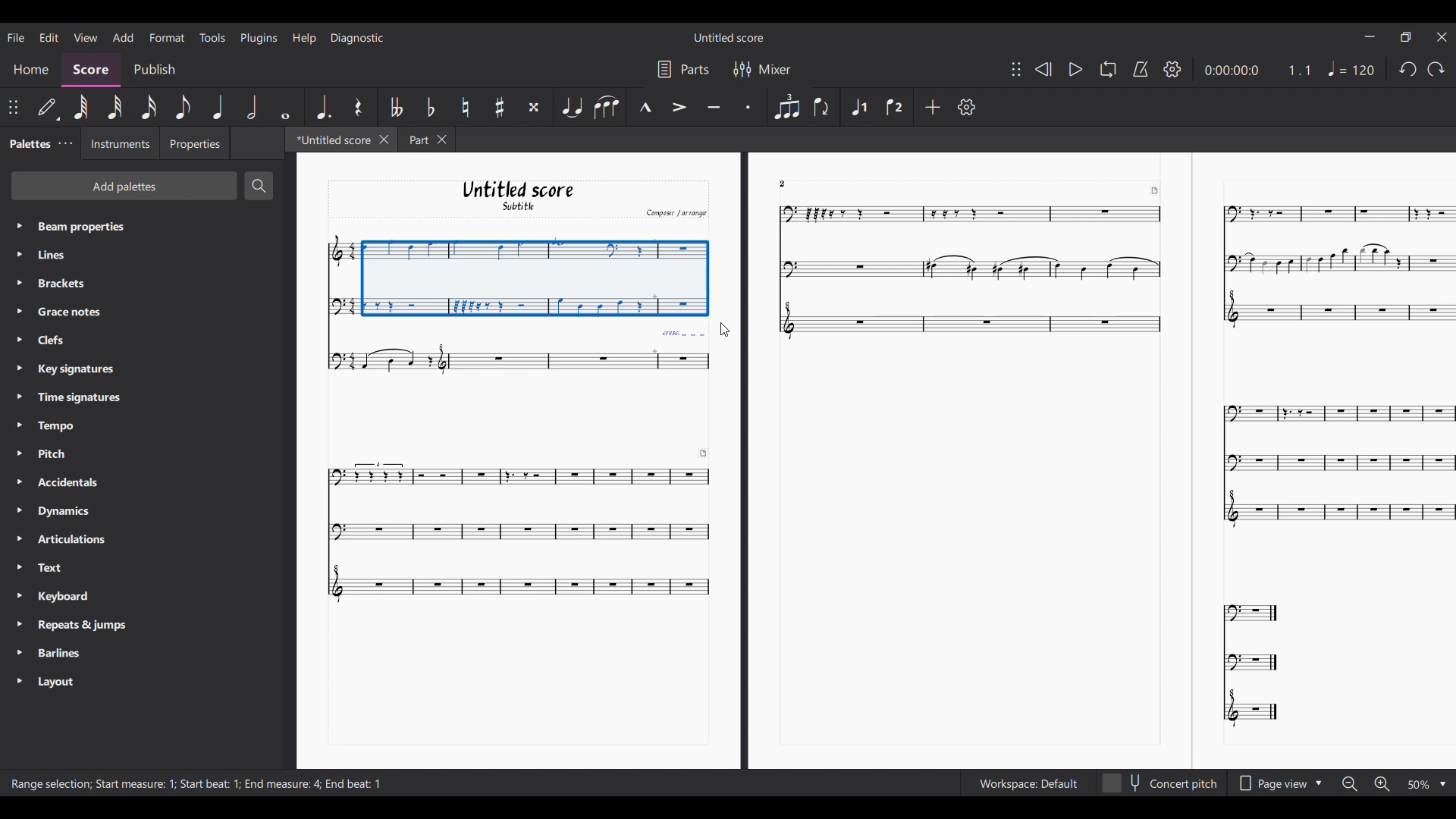 This screenshot has width=1456, height=819. I want to click on Palette settings, so click(65, 144).